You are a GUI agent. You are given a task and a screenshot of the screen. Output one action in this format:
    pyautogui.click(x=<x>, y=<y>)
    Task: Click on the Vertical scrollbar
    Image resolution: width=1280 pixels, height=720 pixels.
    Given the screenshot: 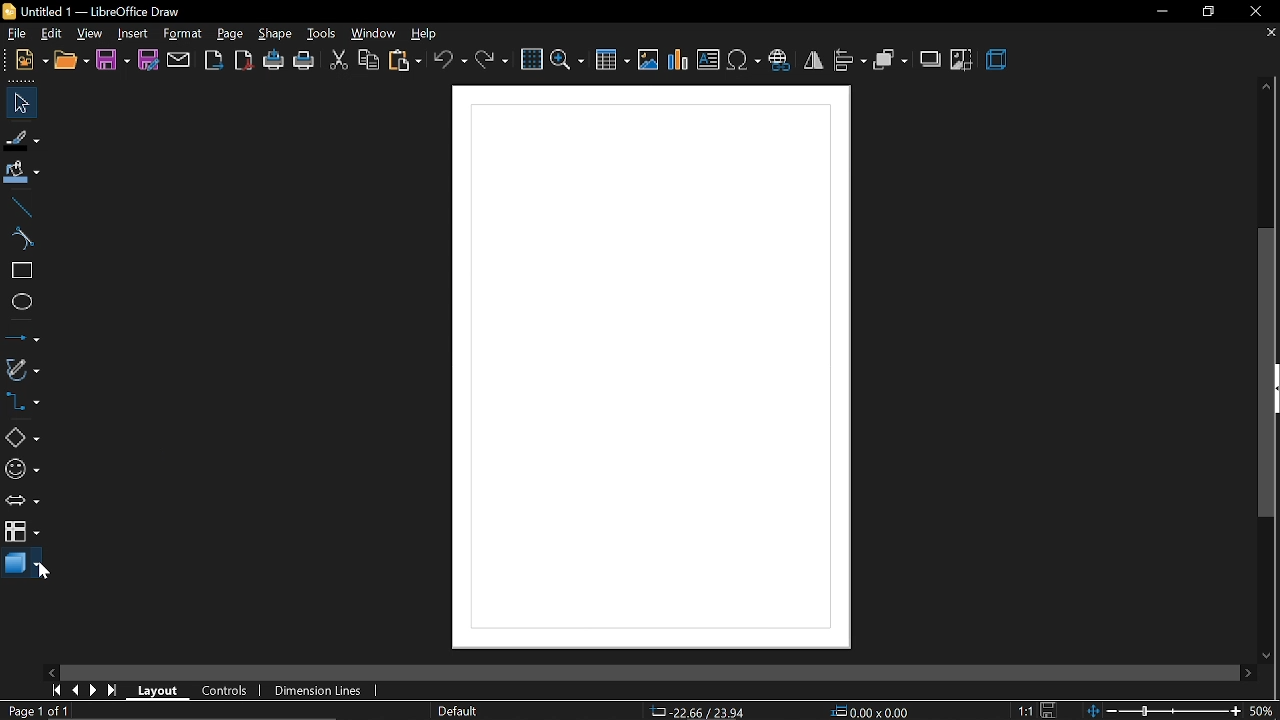 What is the action you would take?
    pyautogui.click(x=1270, y=374)
    